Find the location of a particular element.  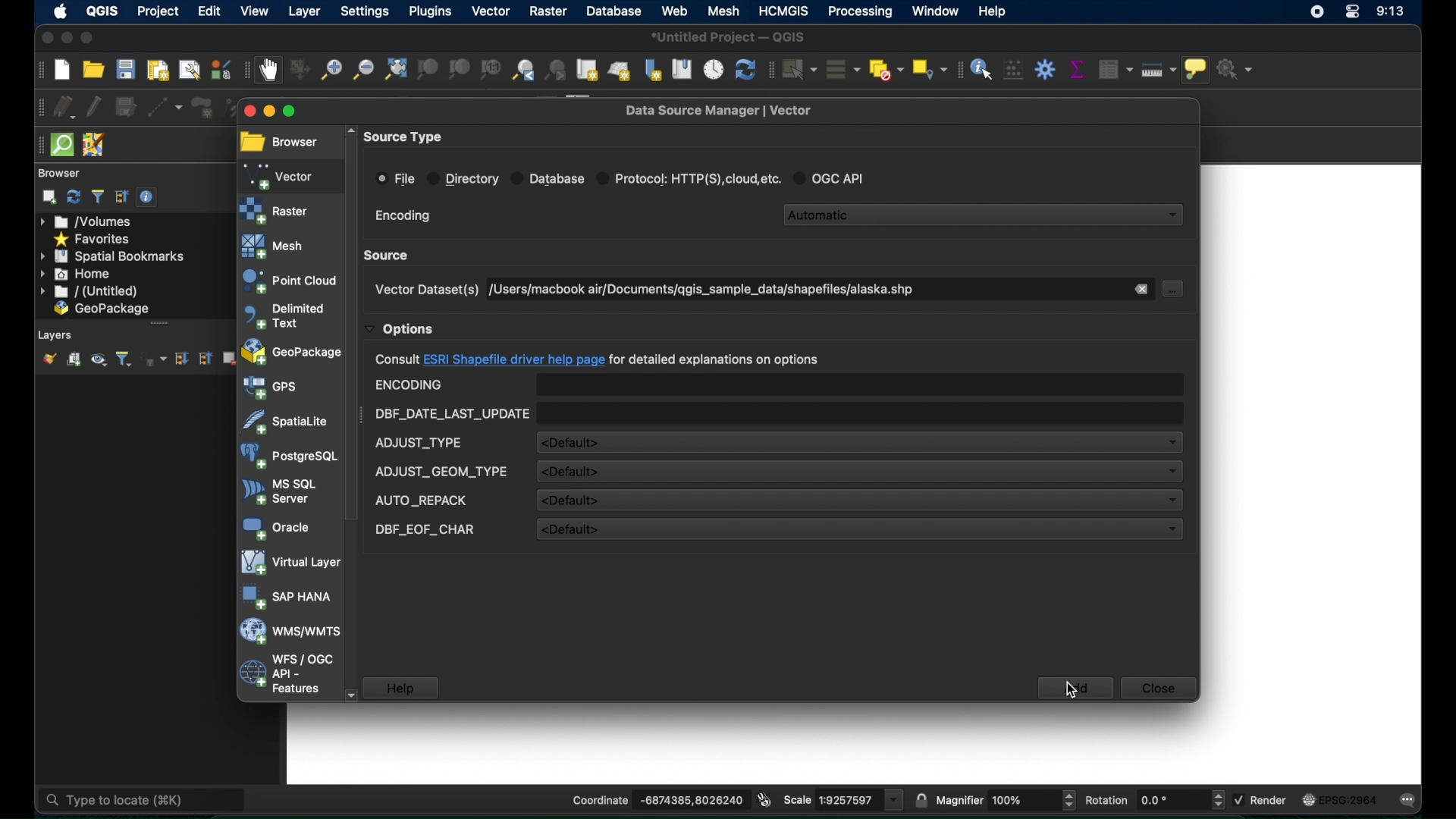

magnifier is located at coordinates (1007, 798).